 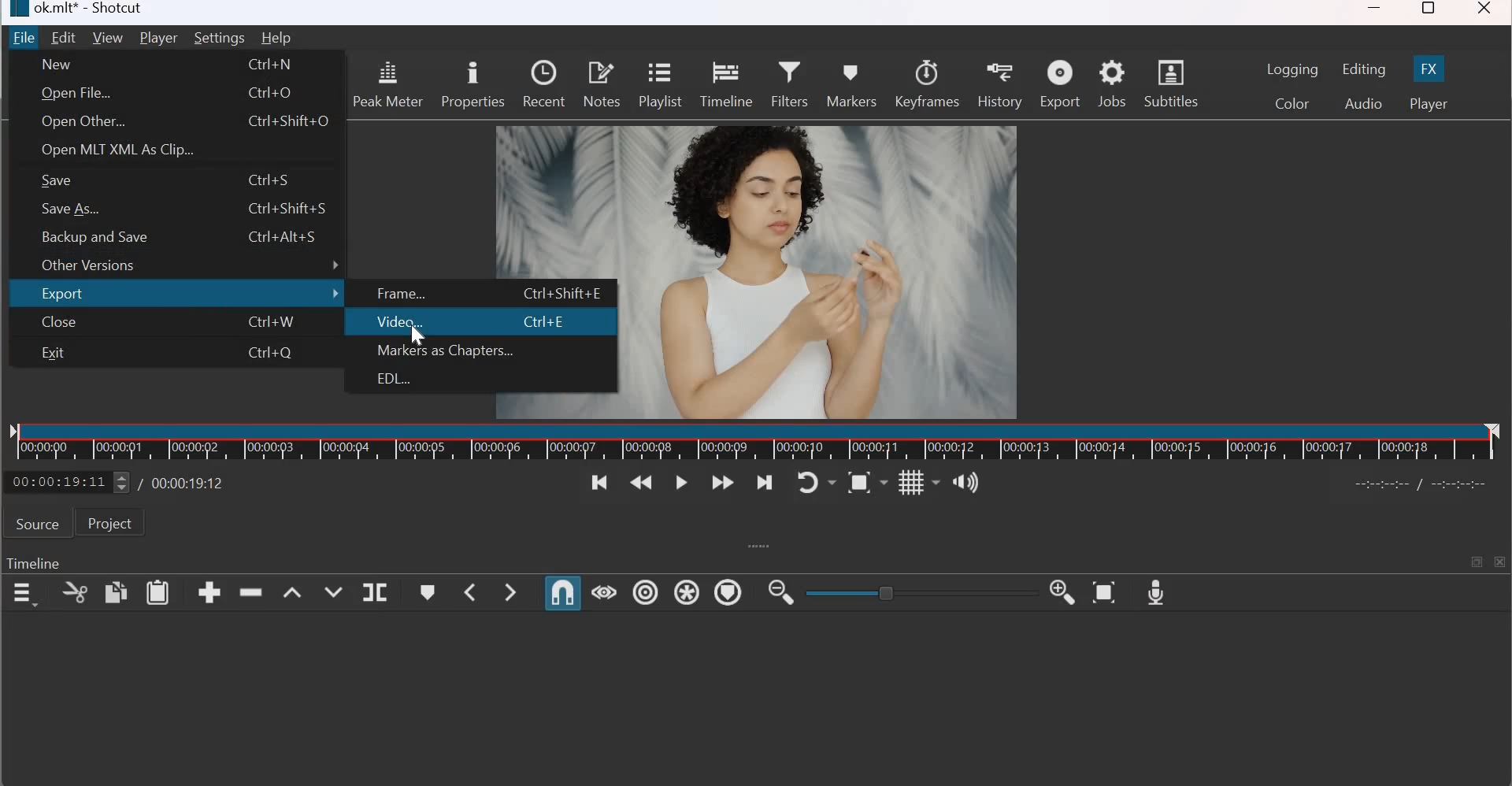 I want to click on copy, so click(x=76, y=592).